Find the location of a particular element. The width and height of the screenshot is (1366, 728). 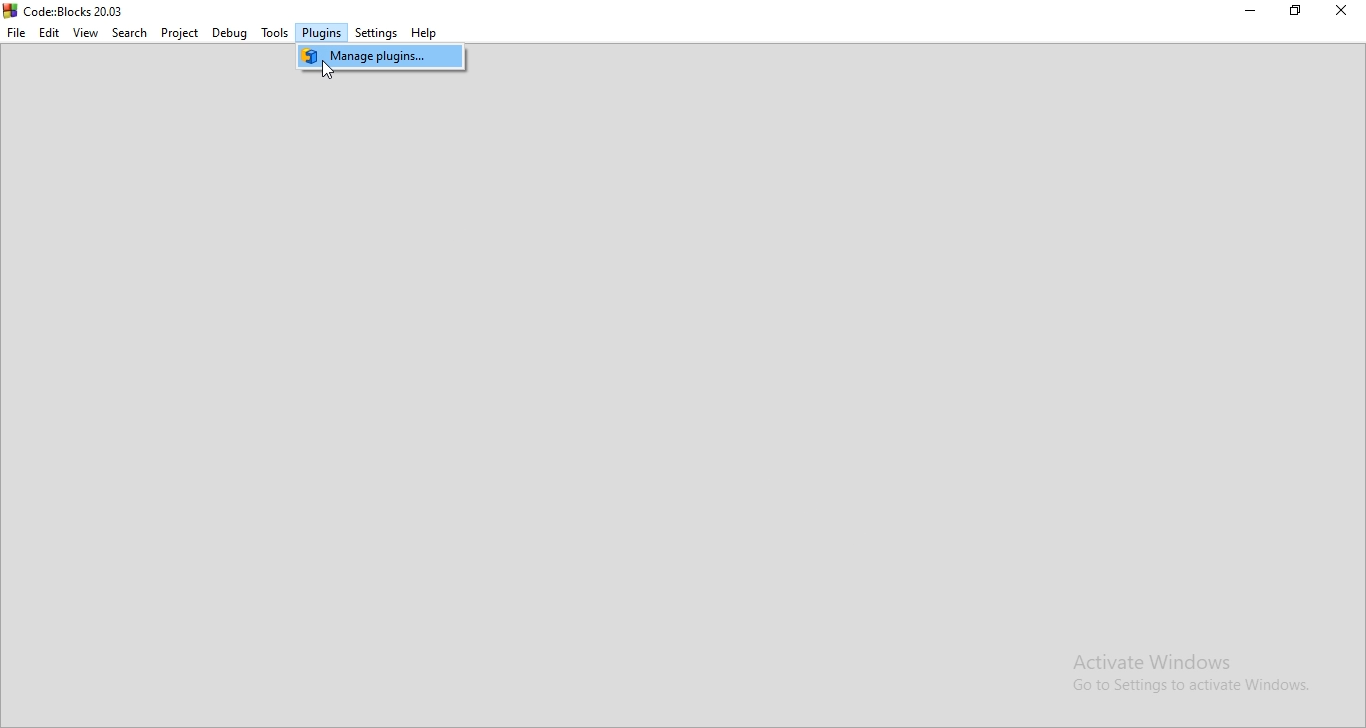

Go to Settings to activate Windows is located at coordinates (1182, 686).